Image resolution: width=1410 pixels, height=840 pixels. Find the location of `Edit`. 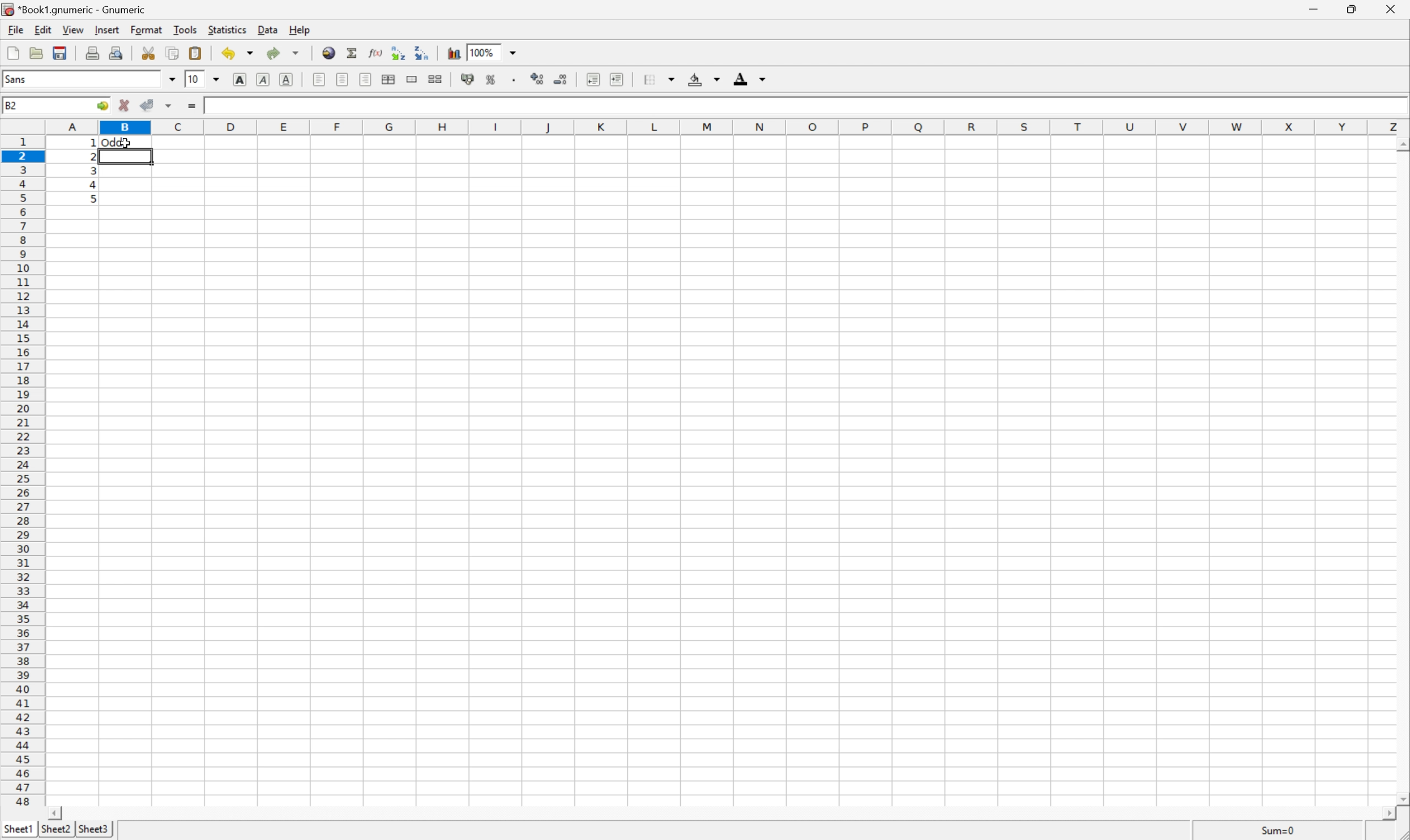

Edit is located at coordinates (44, 29).